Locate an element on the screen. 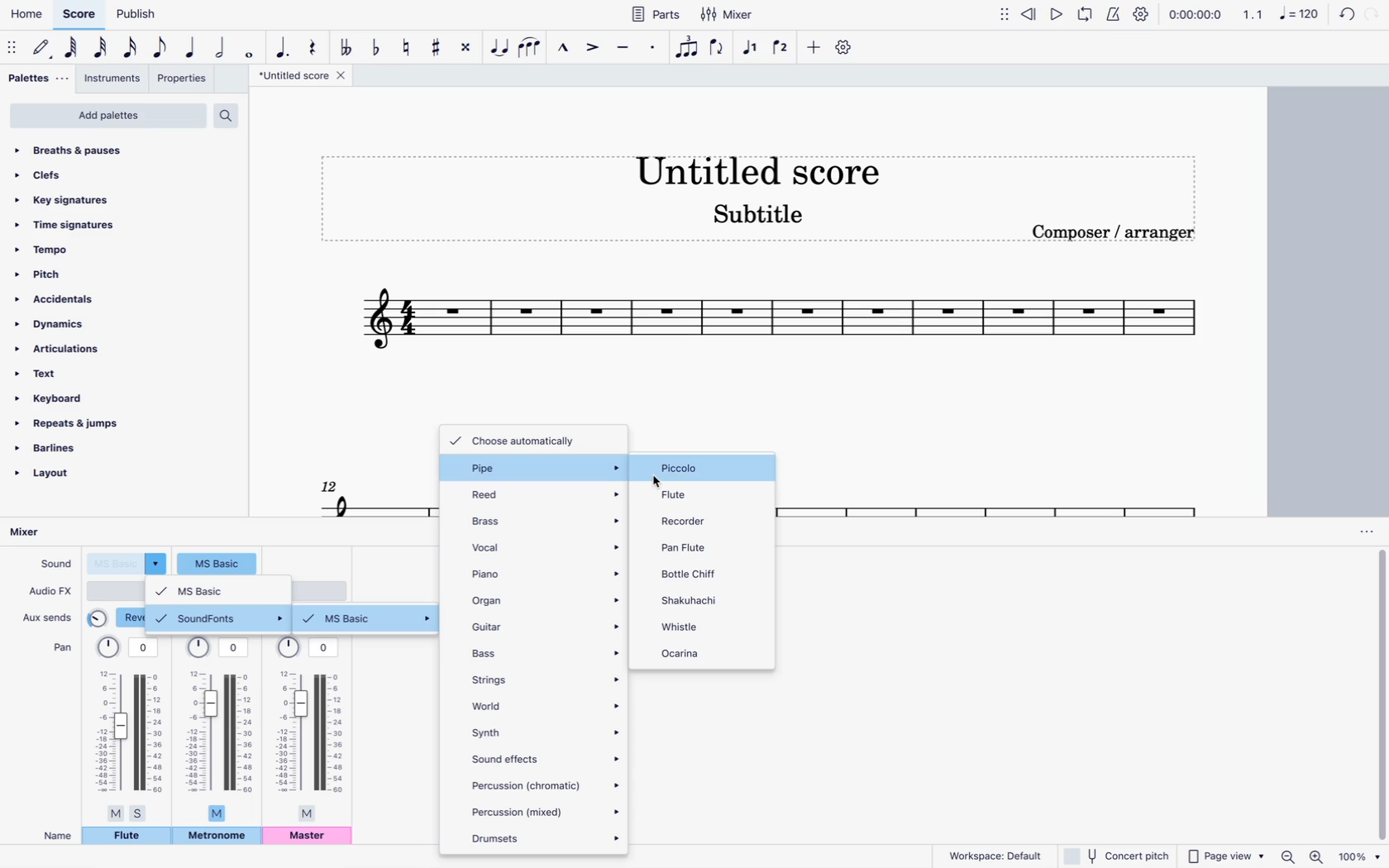 The image size is (1389, 868). flute is located at coordinates (692, 494).